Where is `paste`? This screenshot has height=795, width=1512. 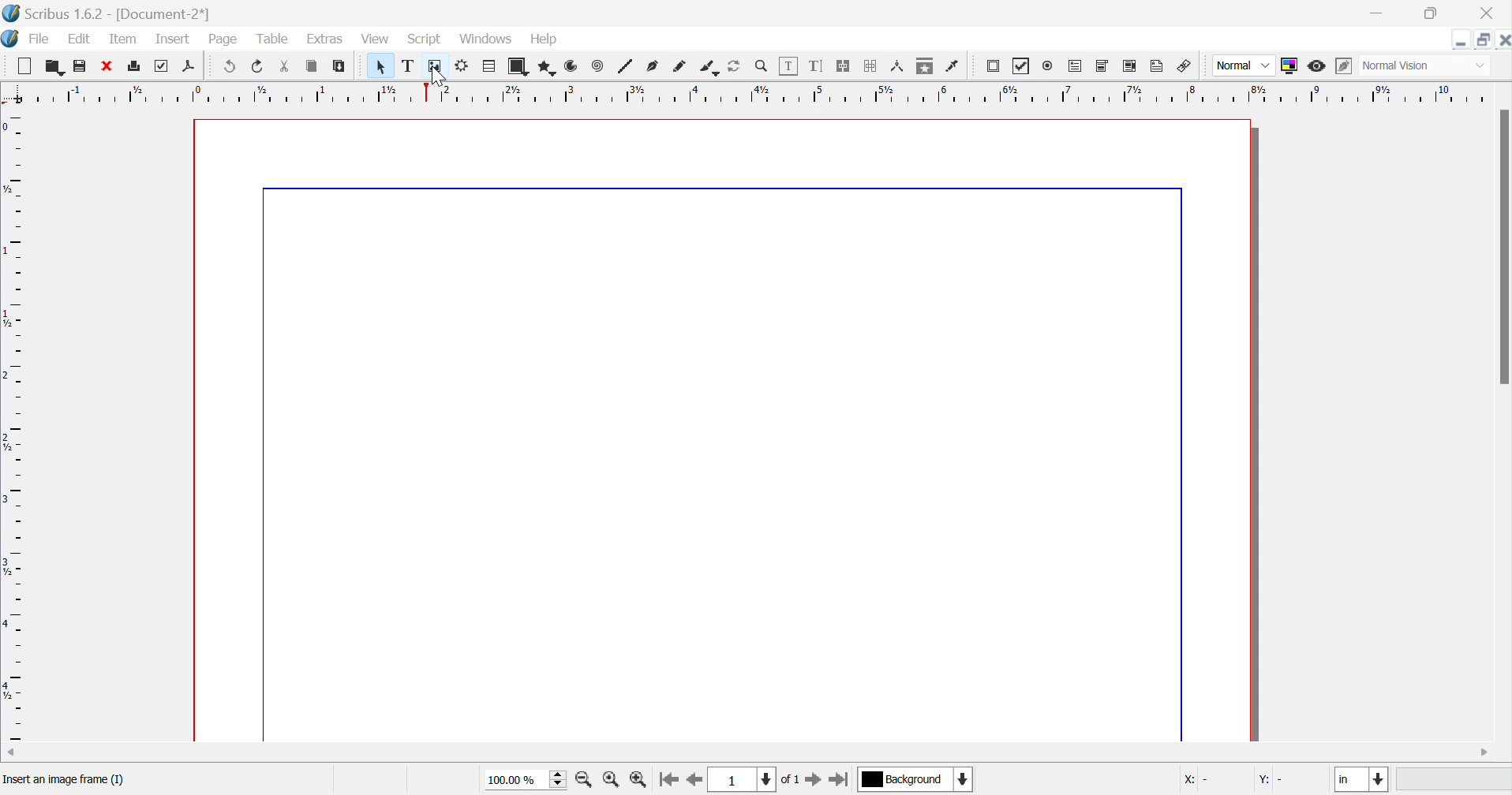 paste is located at coordinates (339, 65).